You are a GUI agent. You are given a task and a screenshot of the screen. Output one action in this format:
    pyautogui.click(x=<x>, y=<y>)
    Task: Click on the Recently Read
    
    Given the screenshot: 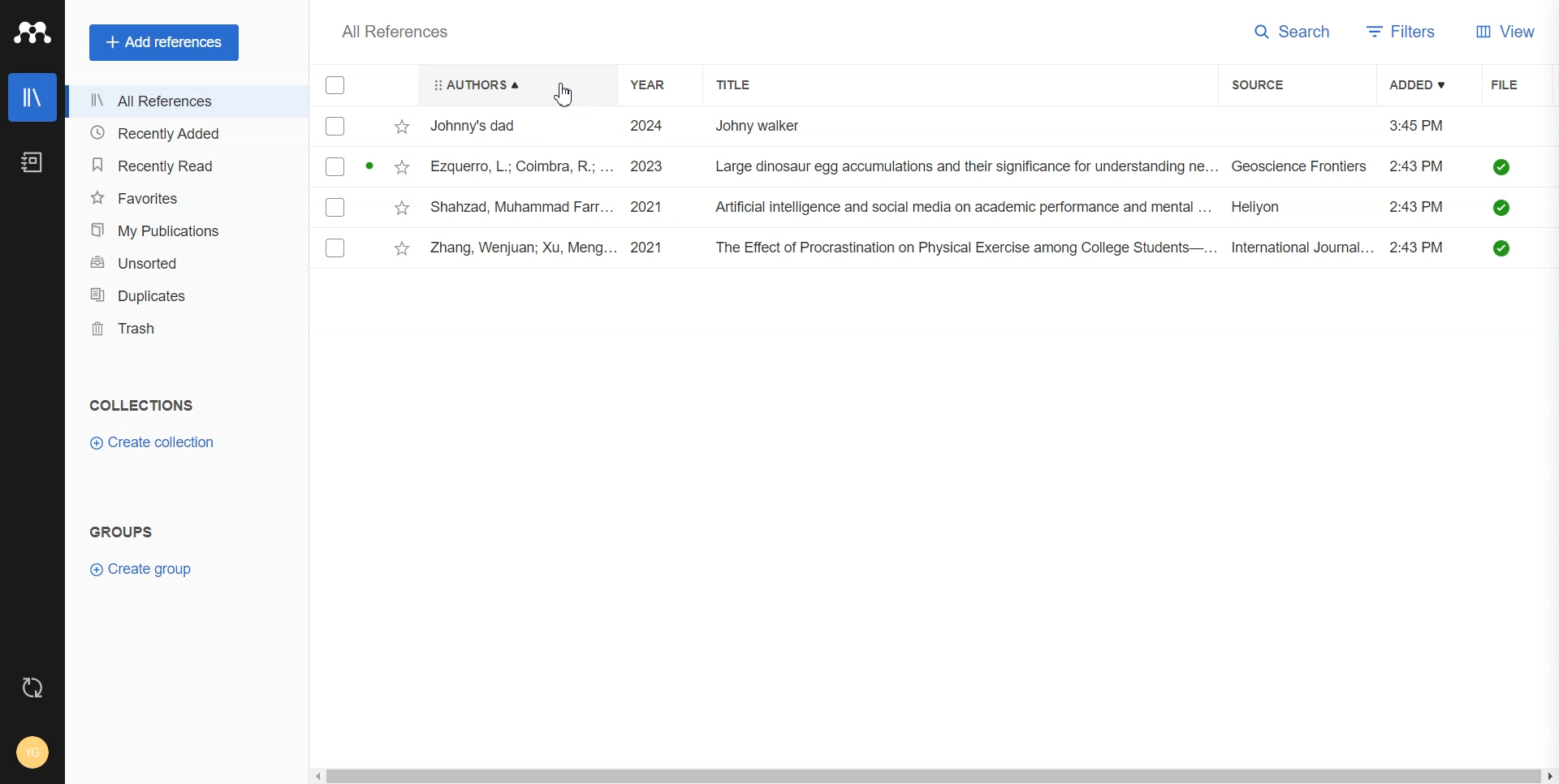 What is the action you would take?
    pyautogui.click(x=179, y=164)
    